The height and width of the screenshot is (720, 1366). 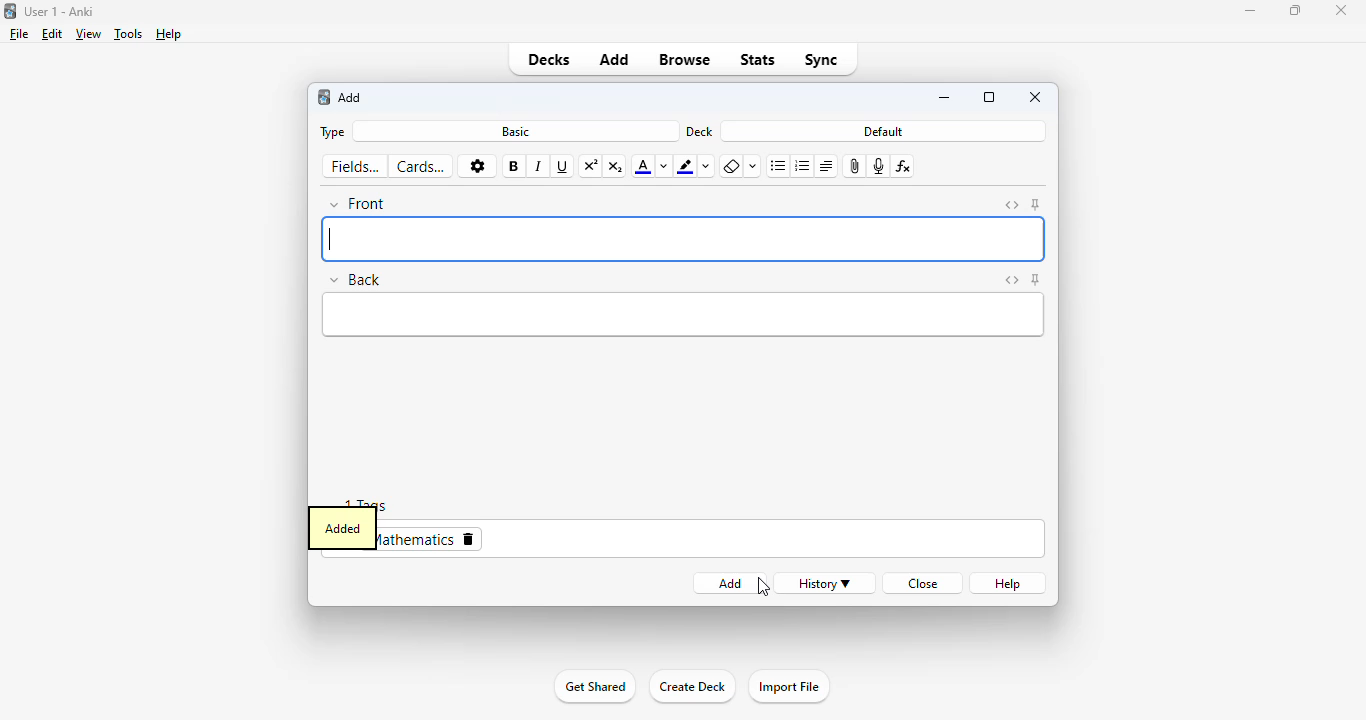 I want to click on logo, so click(x=323, y=97).